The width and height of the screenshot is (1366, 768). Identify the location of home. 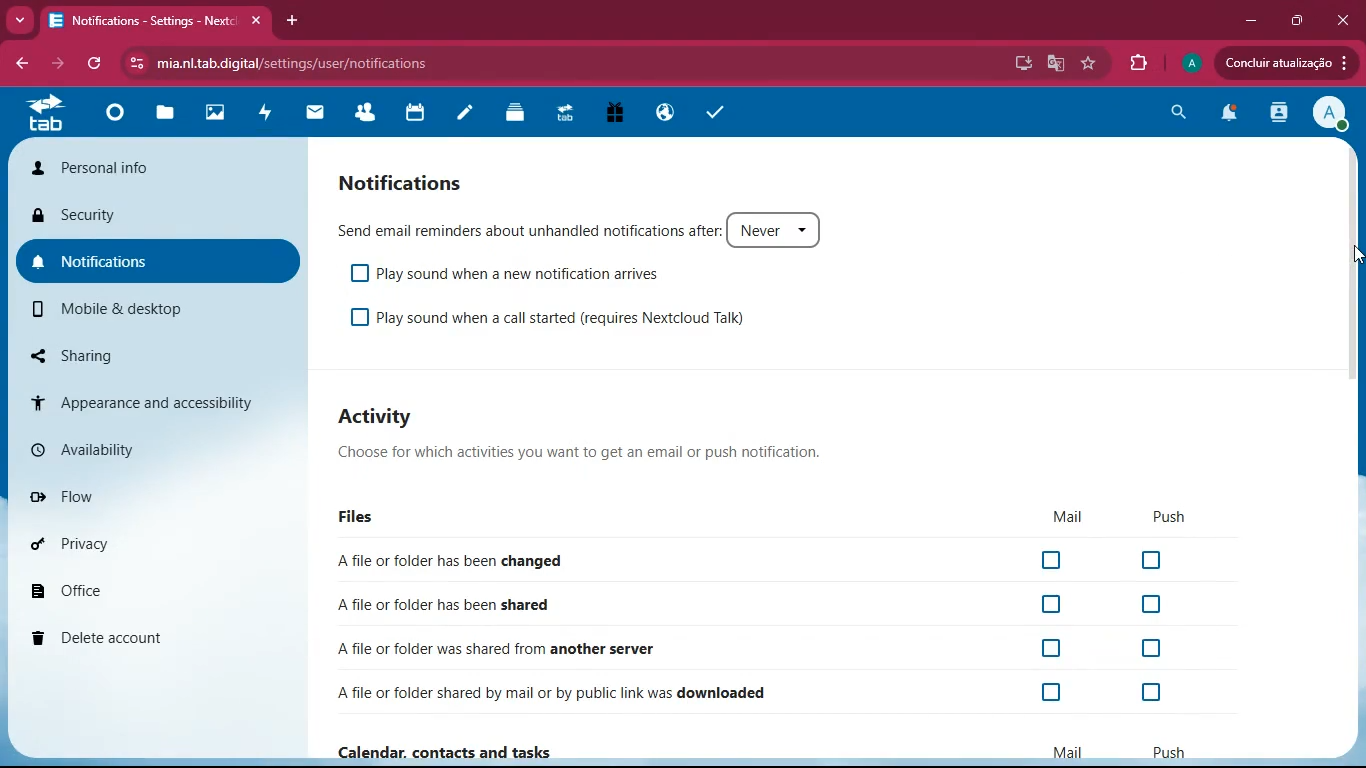
(116, 110).